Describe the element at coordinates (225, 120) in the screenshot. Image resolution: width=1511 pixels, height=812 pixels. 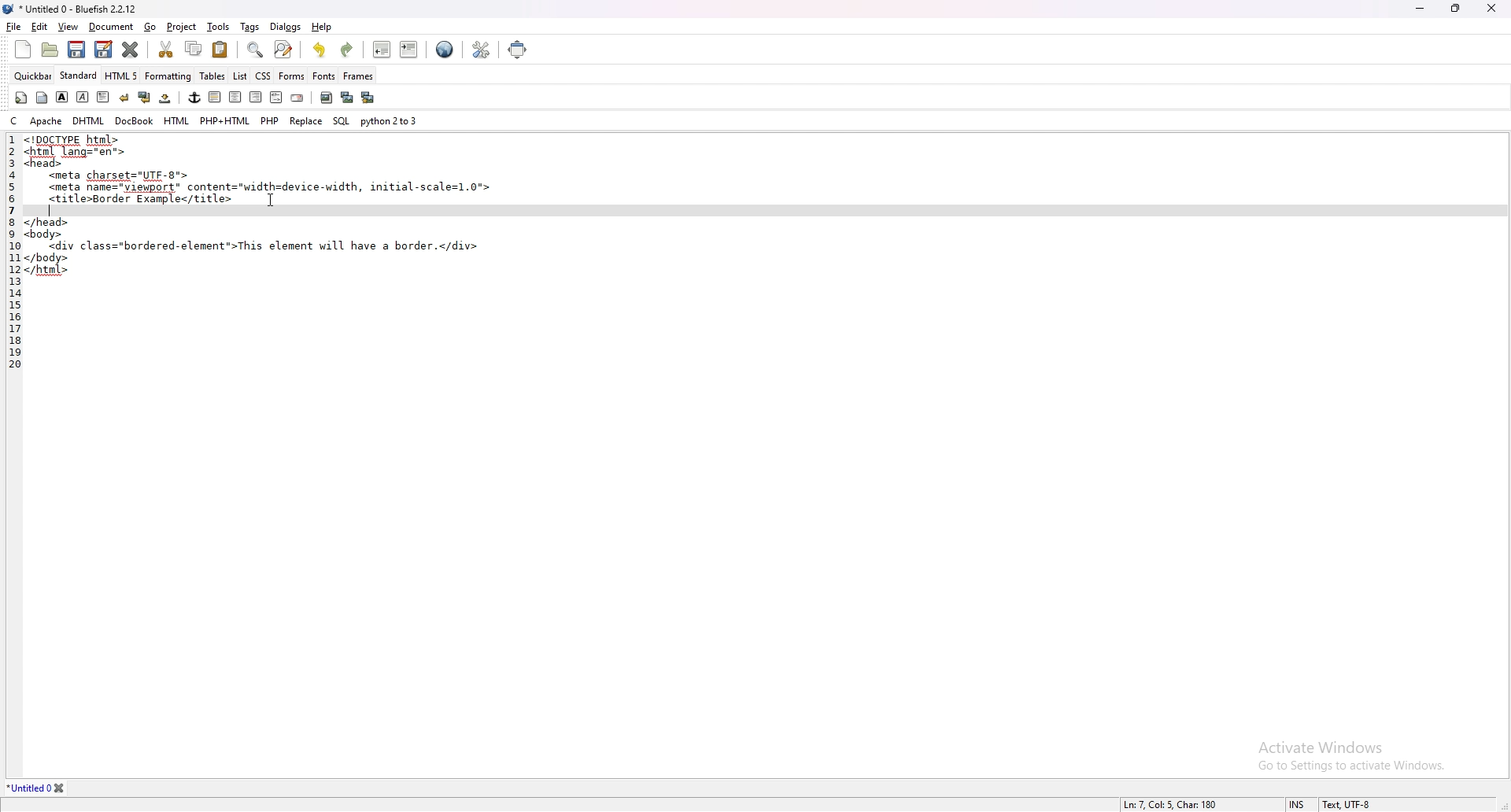
I see `php+html` at that location.